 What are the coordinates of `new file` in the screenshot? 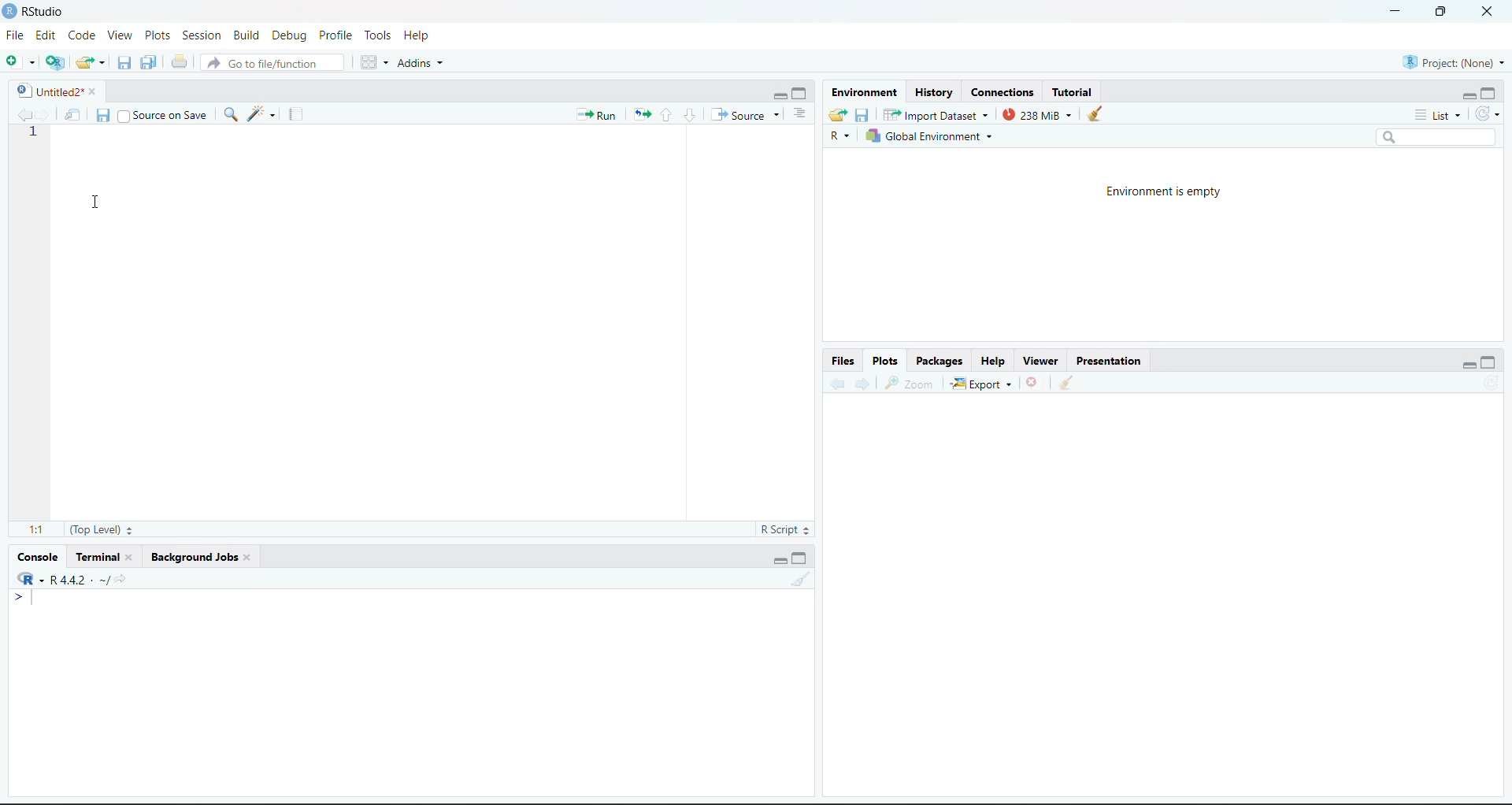 It's located at (20, 61).